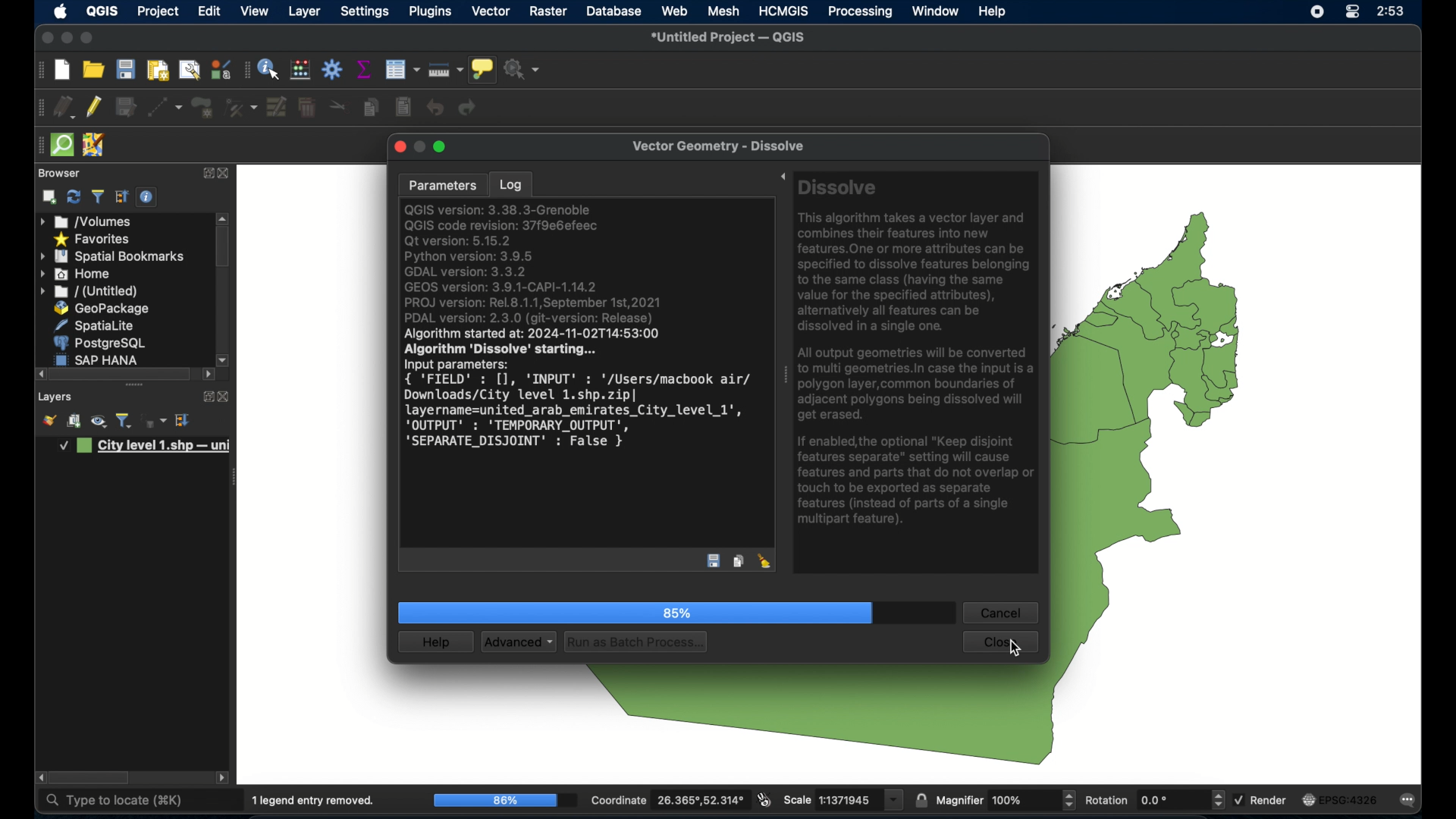  I want to click on lock scale, so click(921, 799).